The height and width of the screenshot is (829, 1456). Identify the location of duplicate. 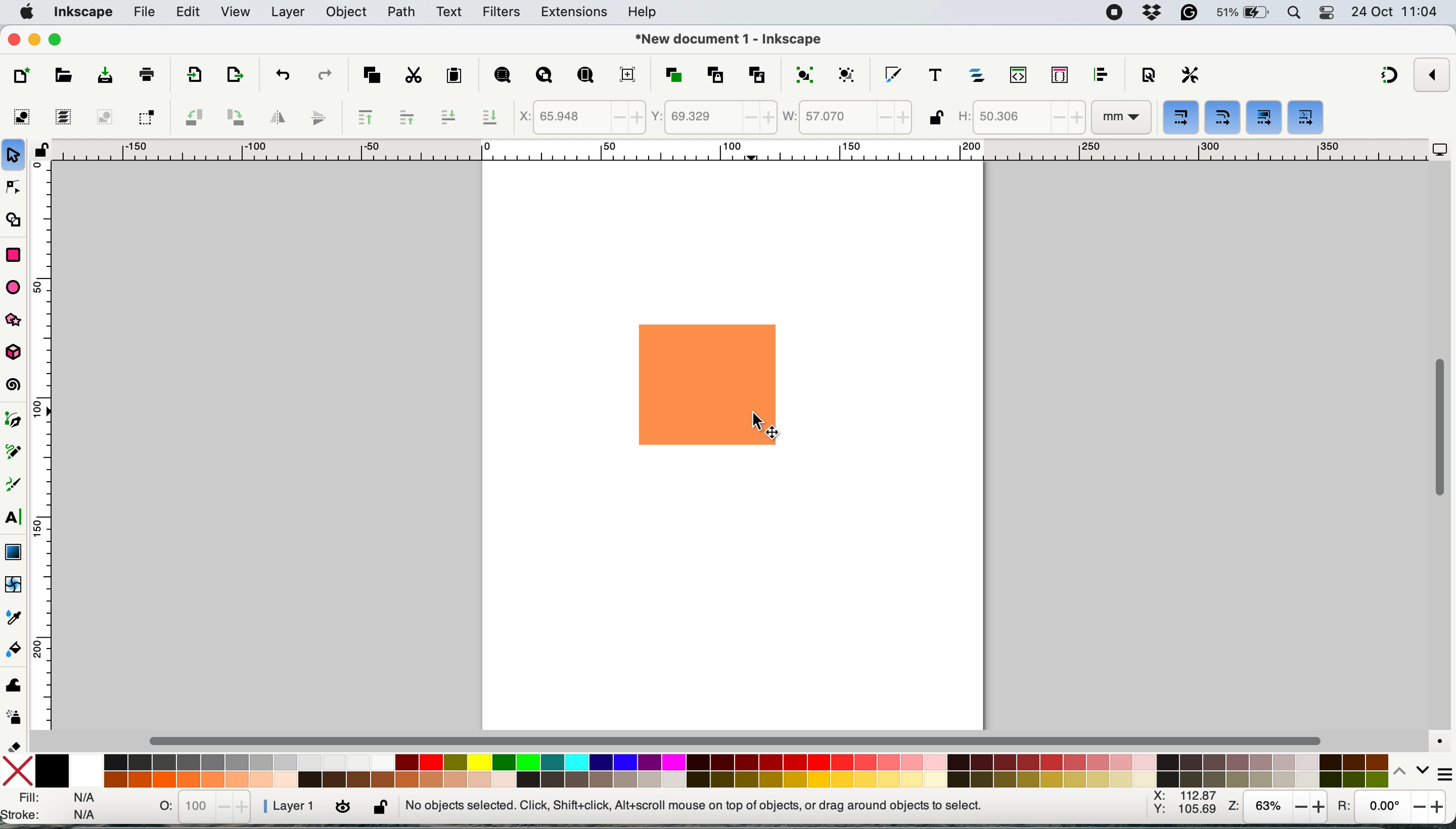
(672, 75).